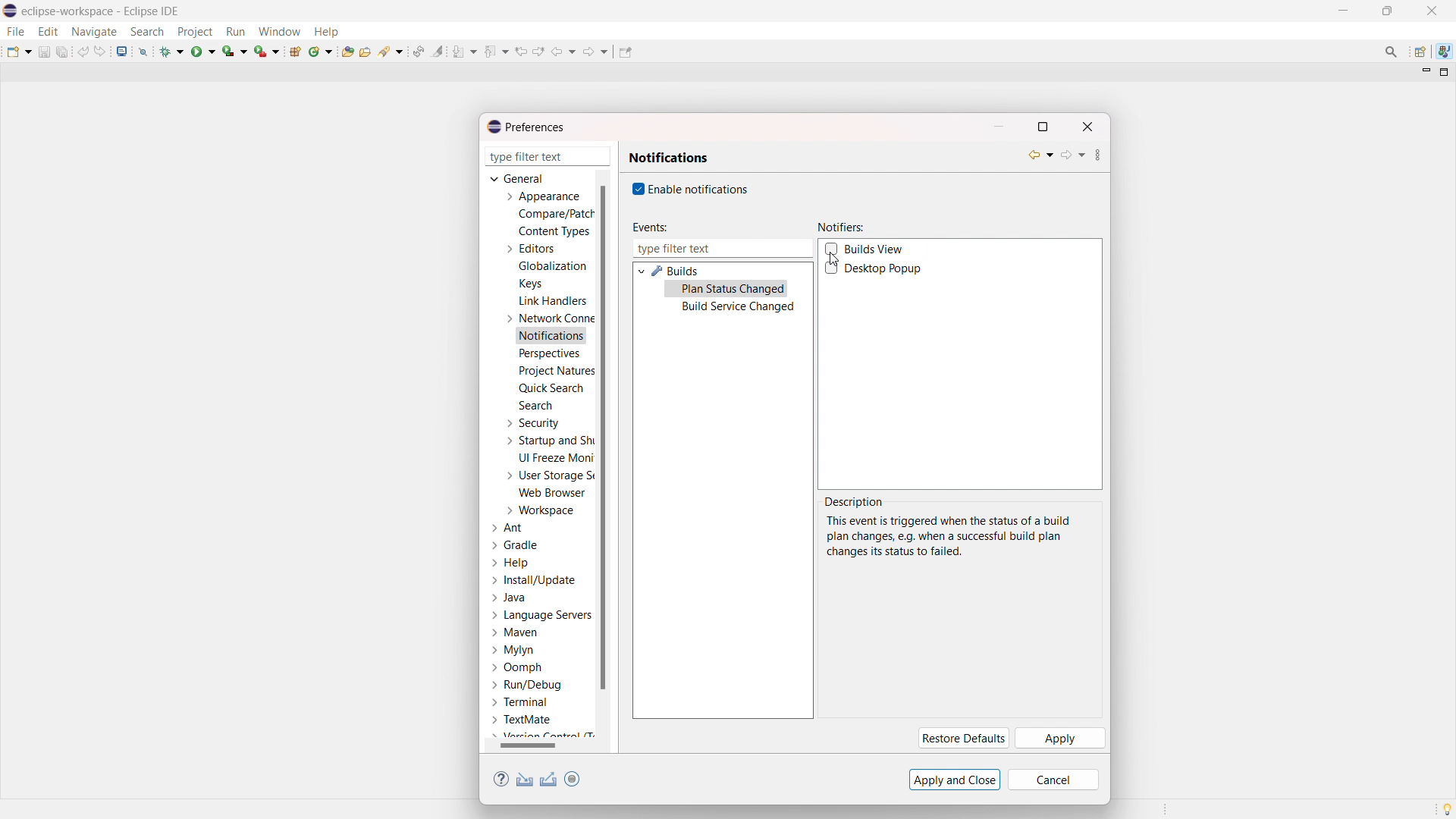  I want to click on security, so click(532, 423).